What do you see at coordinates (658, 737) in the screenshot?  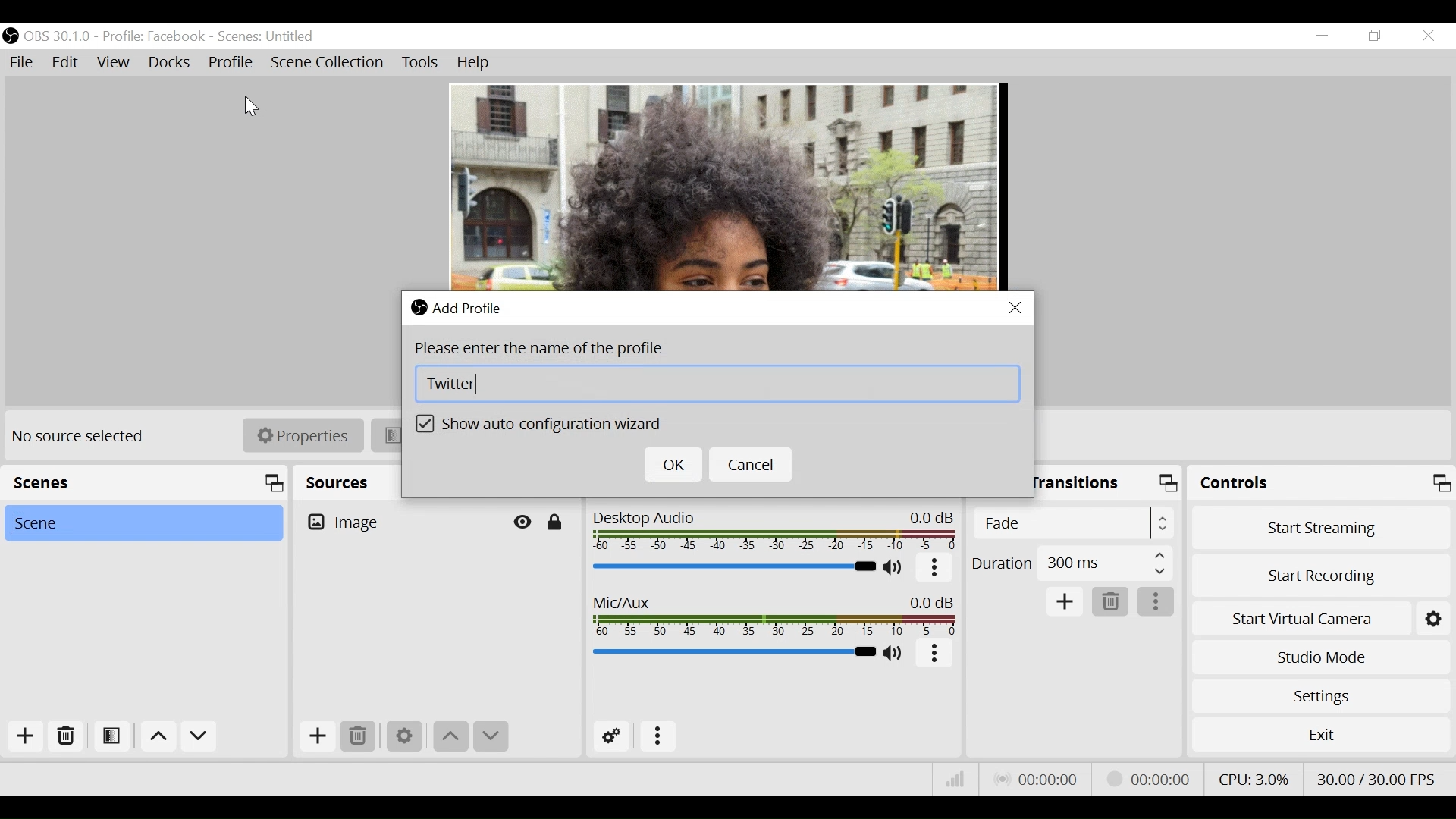 I see `More Options` at bounding box center [658, 737].